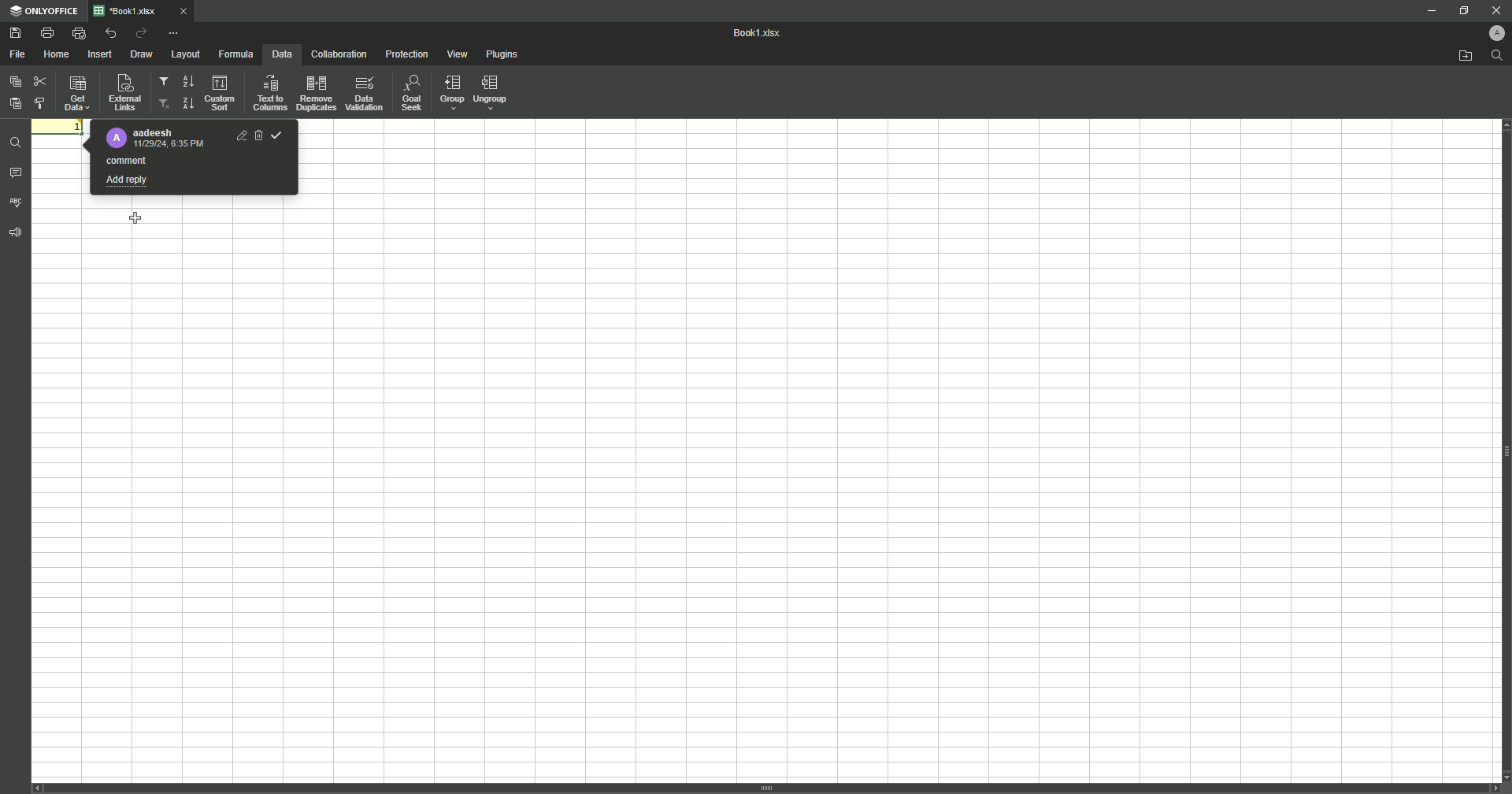  What do you see at coordinates (128, 180) in the screenshot?
I see `Add reply` at bounding box center [128, 180].